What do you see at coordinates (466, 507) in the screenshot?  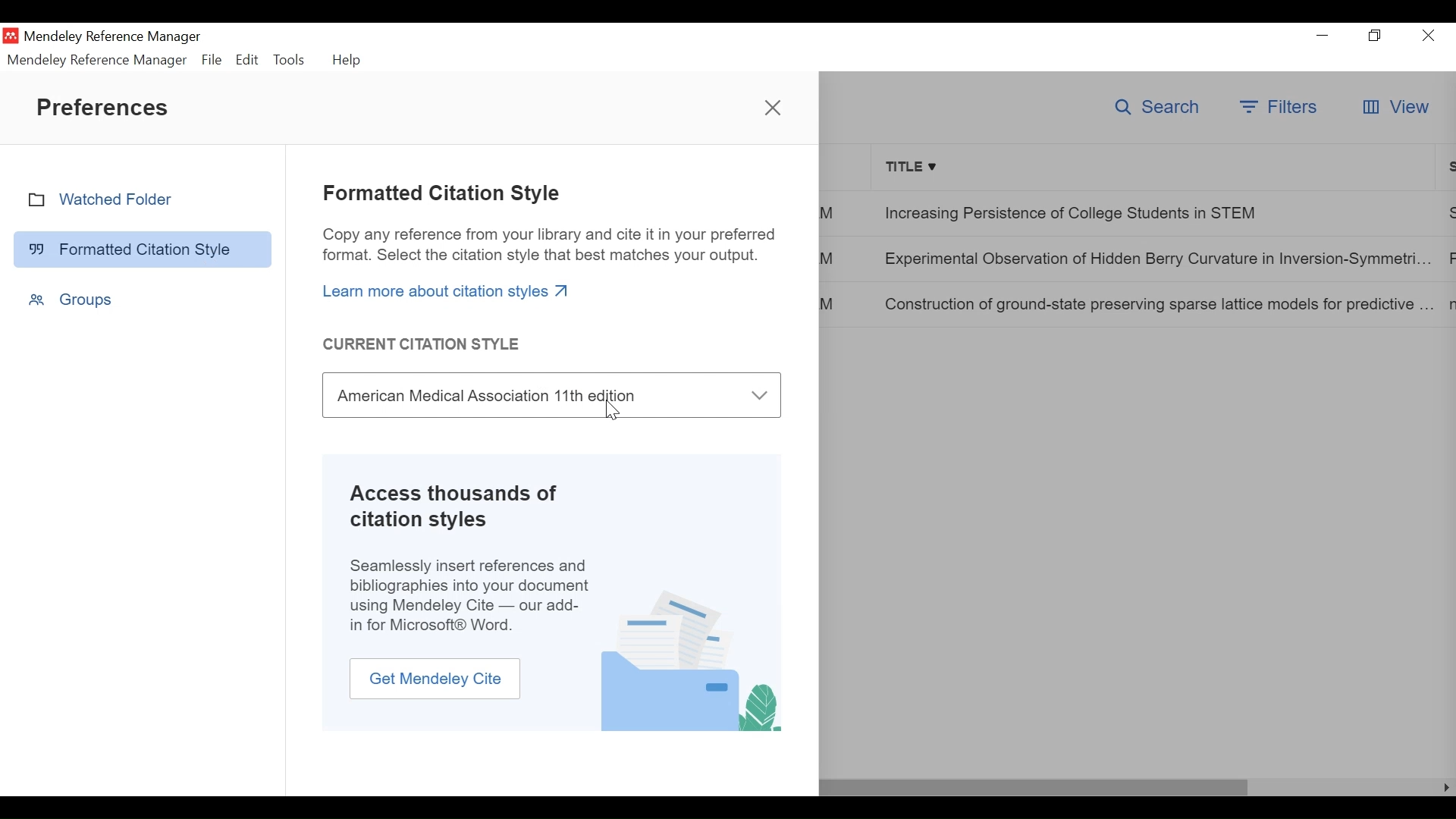 I see `Access thousands of citation styles` at bounding box center [466, 507].